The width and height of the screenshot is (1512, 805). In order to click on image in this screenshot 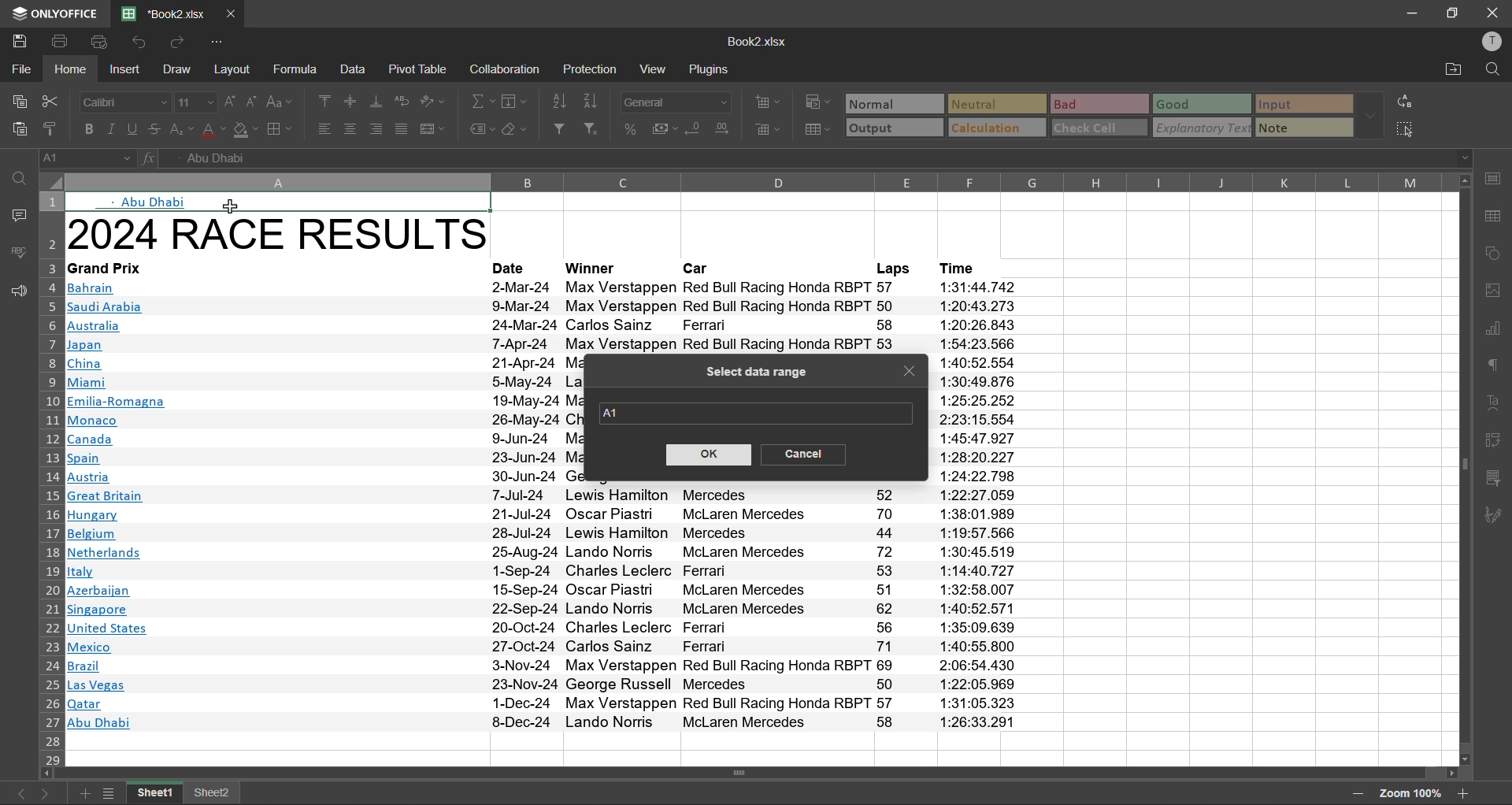, I will do `click(1493, 293)`.